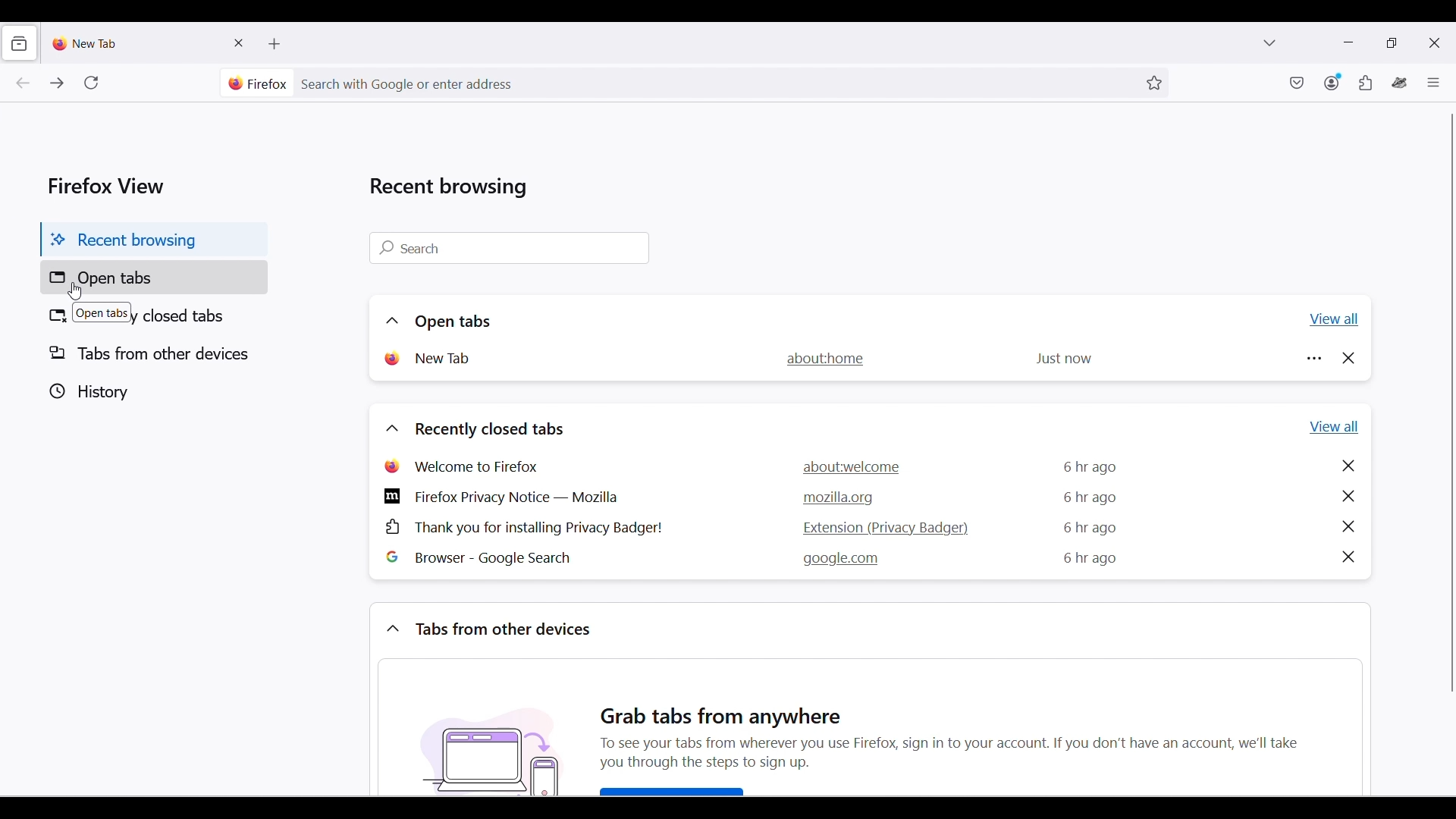 This screenshot has width=1456, height=819. Describe the element at coordinates (452, 322) in the screenshot. I see `Section title - Open tabs` at that location.